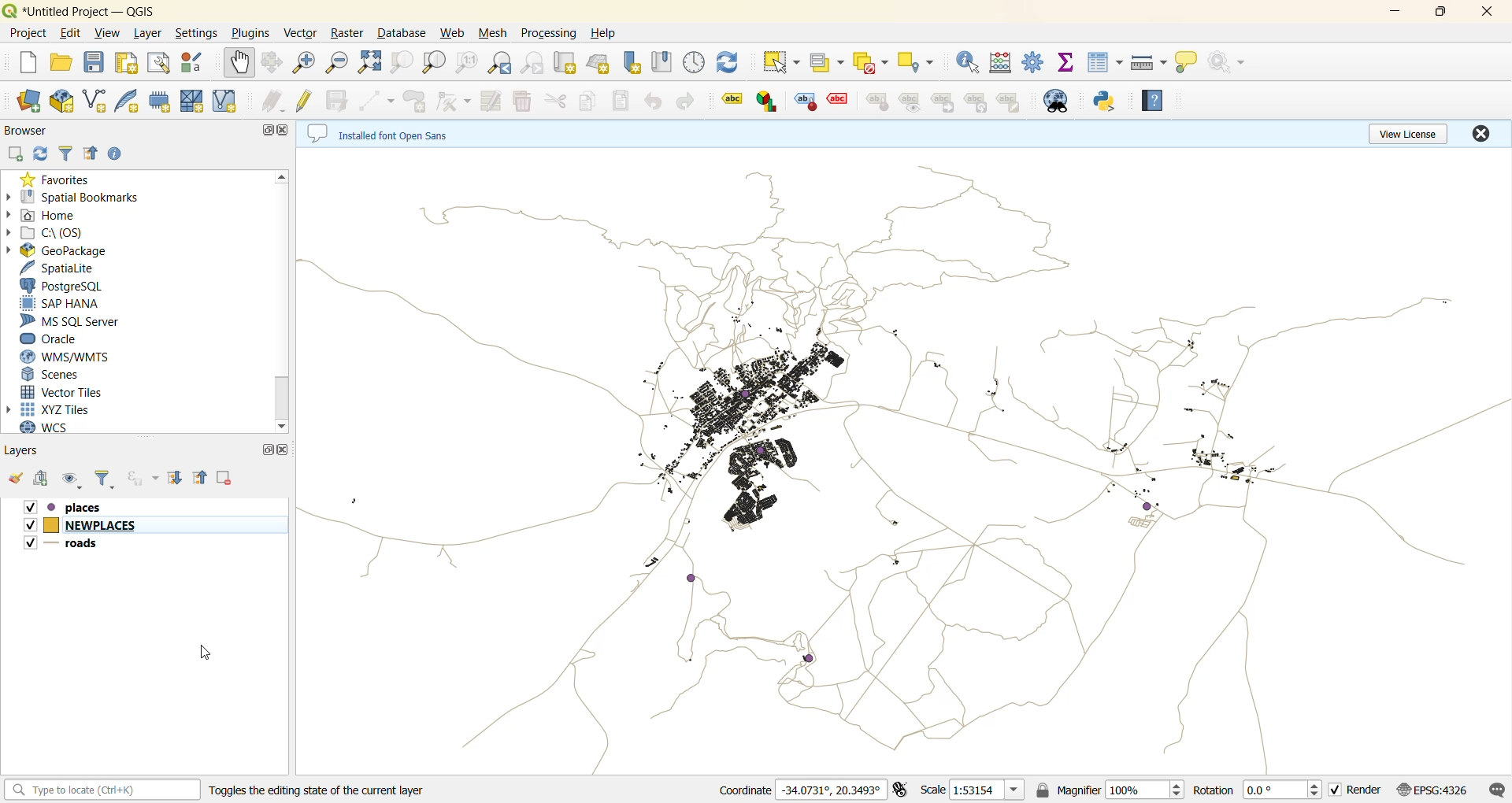 This screenshot has height=803, width=1512. What do you see at coordinates (50, 409) in the screenshot?
I see `xyz tiles` at bounding box center [50, 409].